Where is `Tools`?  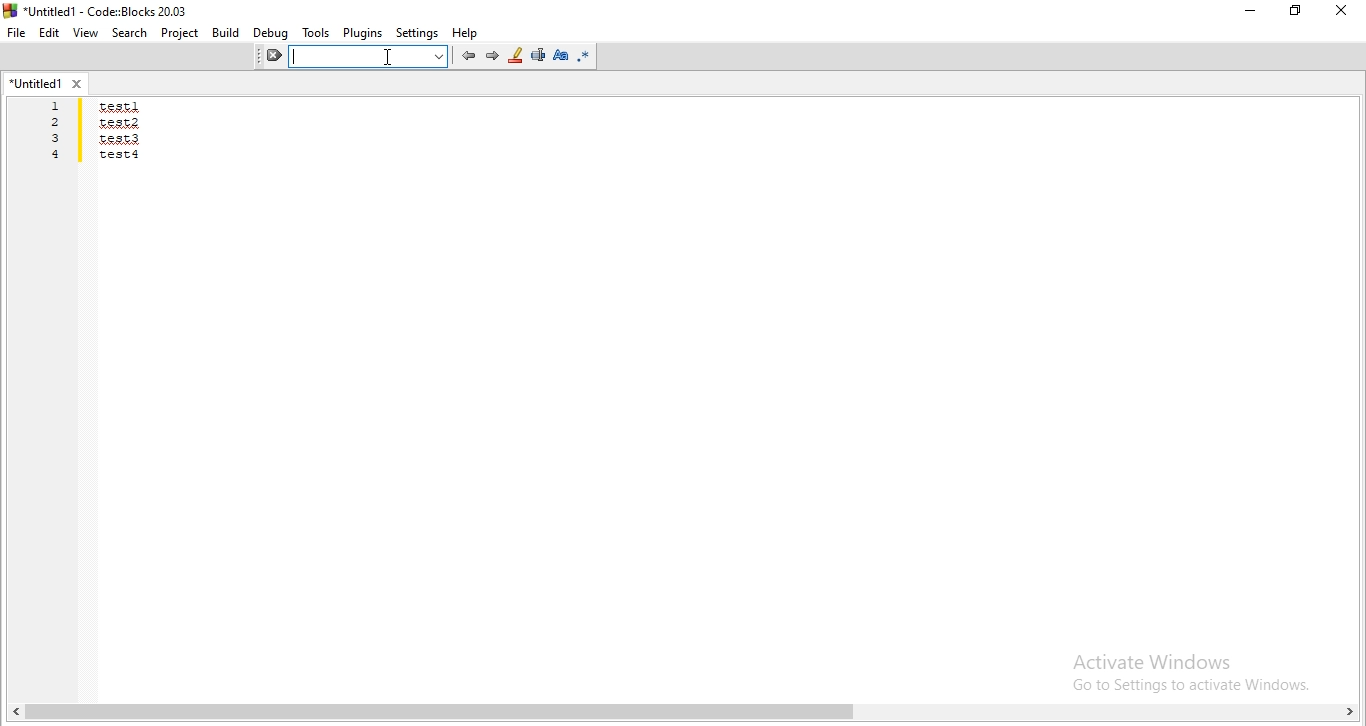
Tools is located at coordinates (316, 34).